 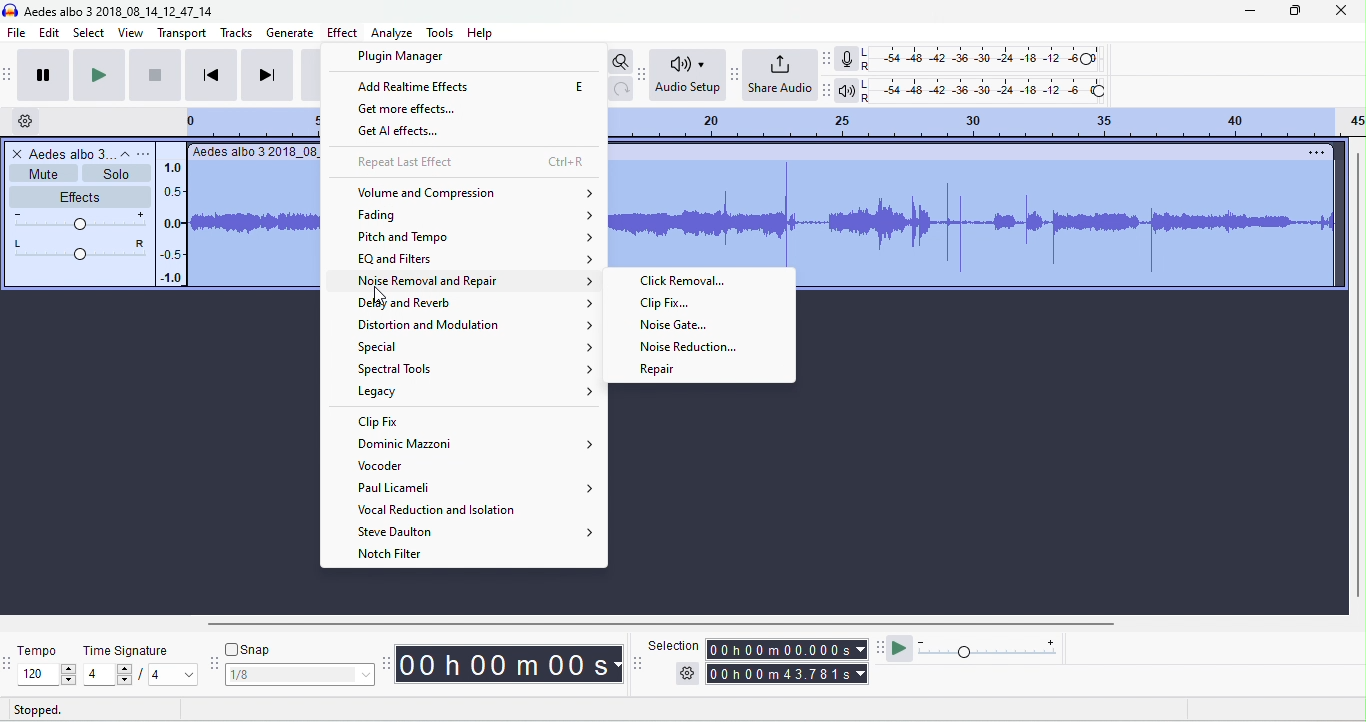 What do you see at coordinates (477, 534) in the screenshot?
I see `steve daulton` at bounding box center [477, 534].